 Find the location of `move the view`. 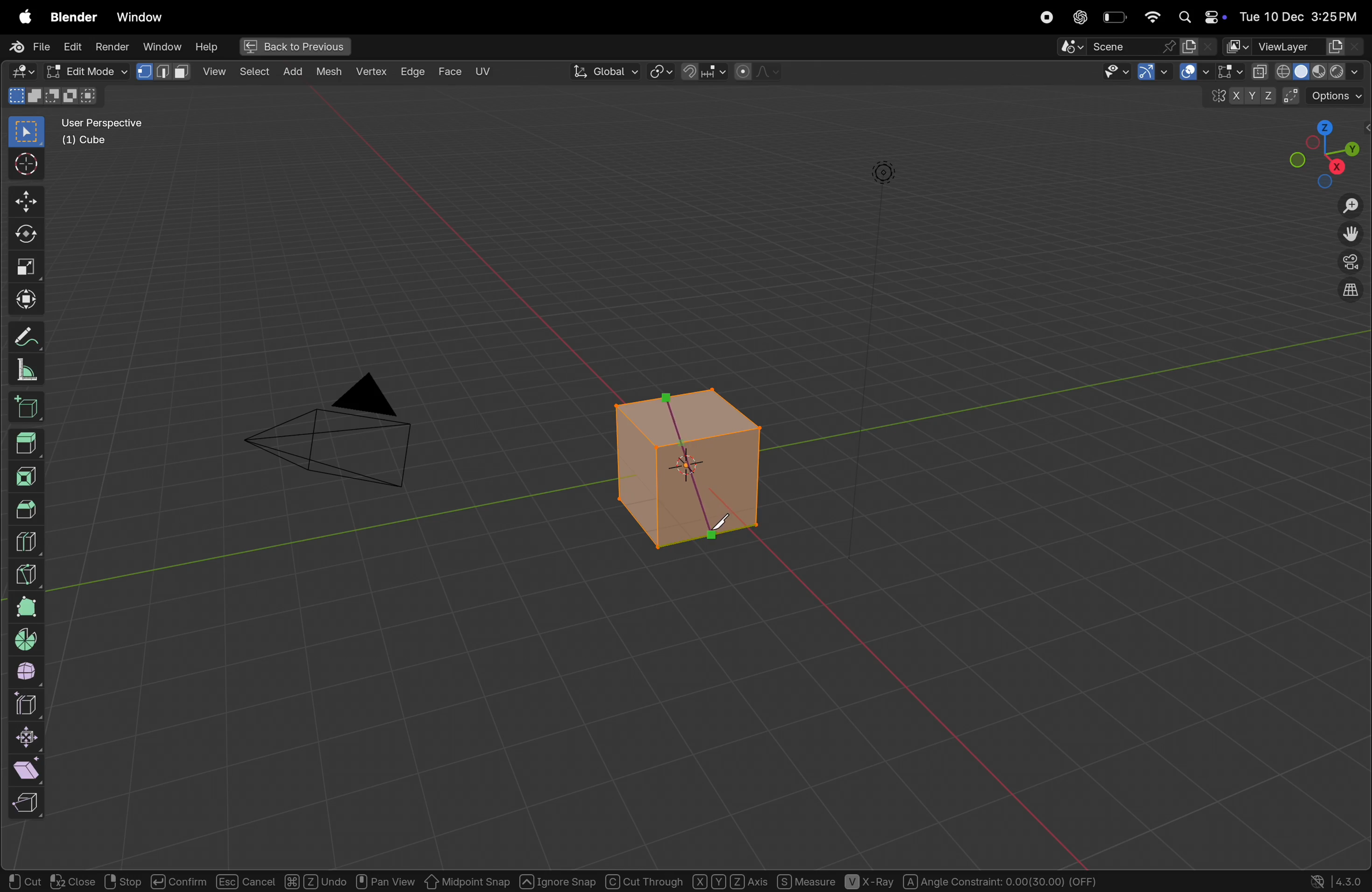

move the view is located at coordinates (1351, 235).